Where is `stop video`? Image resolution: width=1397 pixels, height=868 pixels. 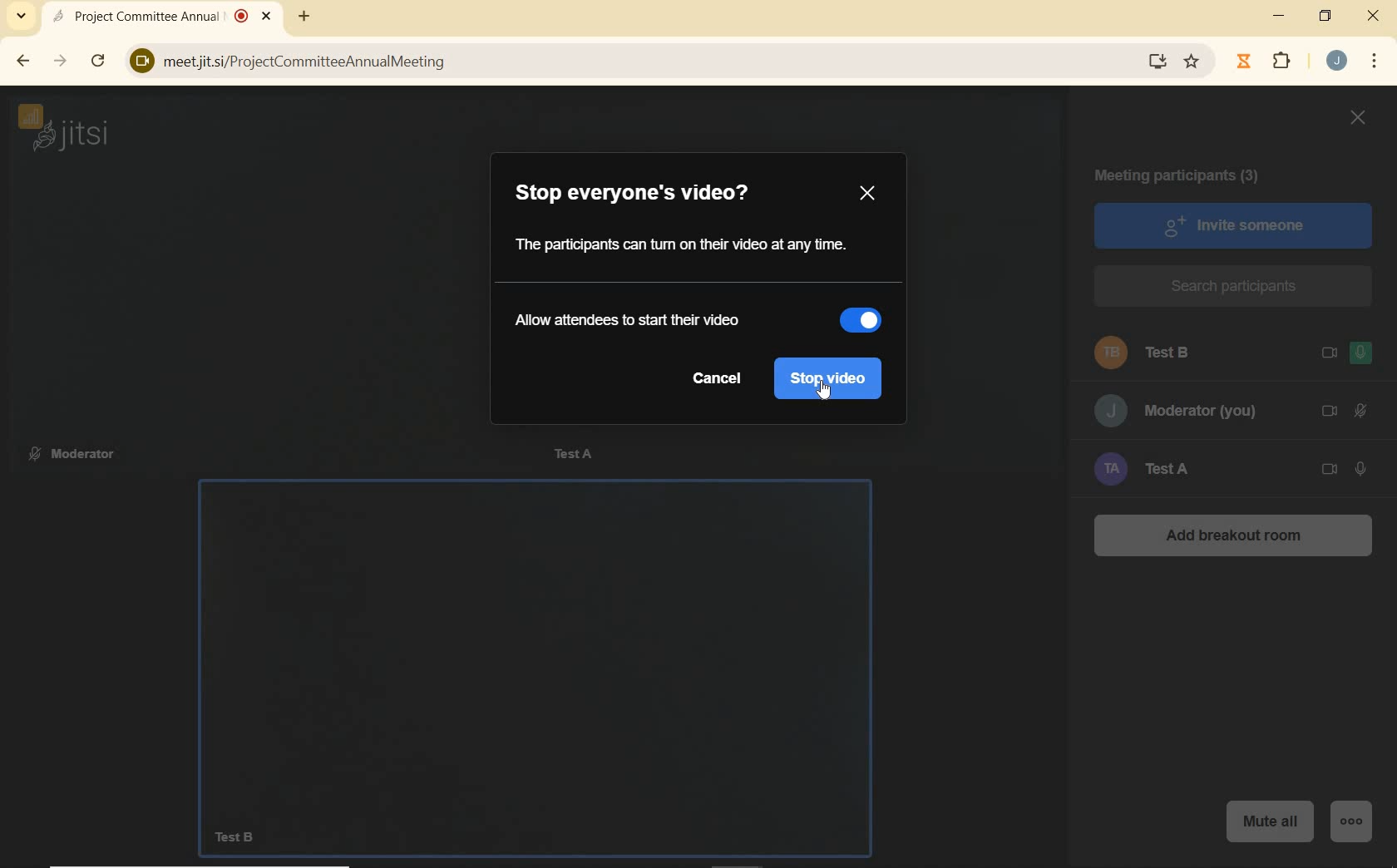
stop video is located at coordinates (829, 381).